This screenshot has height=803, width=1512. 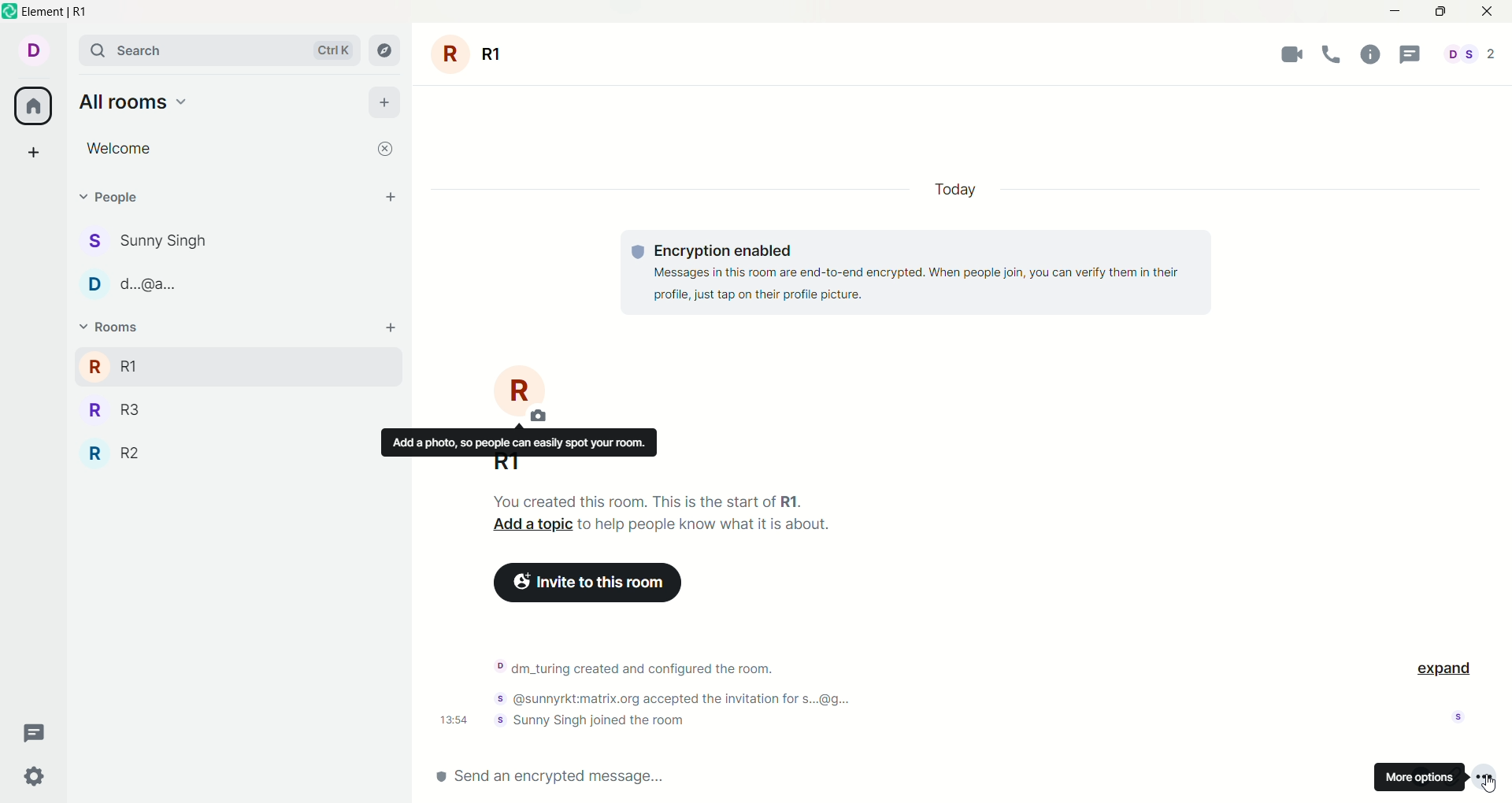 I want to click on R3 room, so click(x=115, y=410).